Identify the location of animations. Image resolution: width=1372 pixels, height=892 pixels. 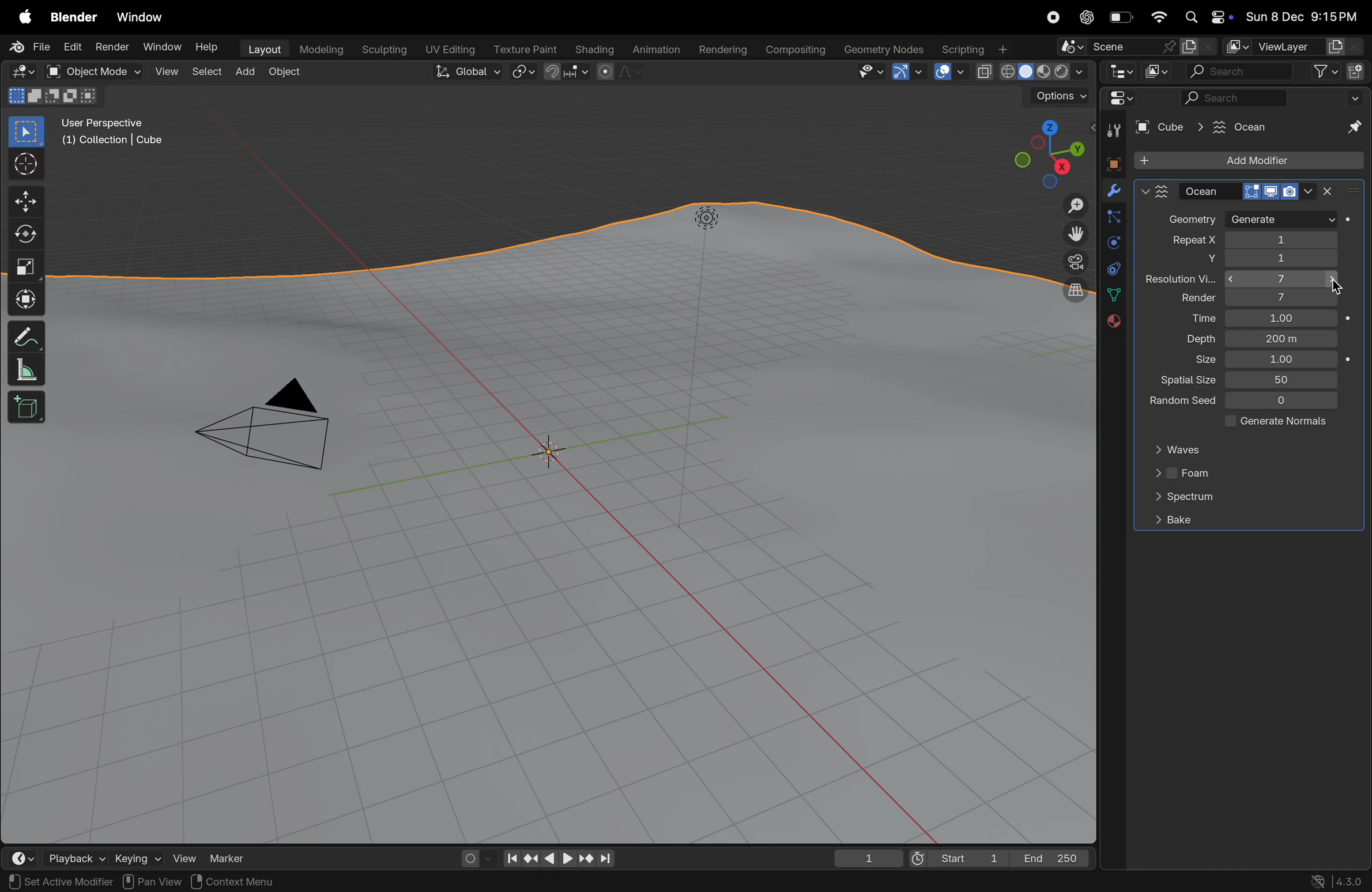
(654, 50).